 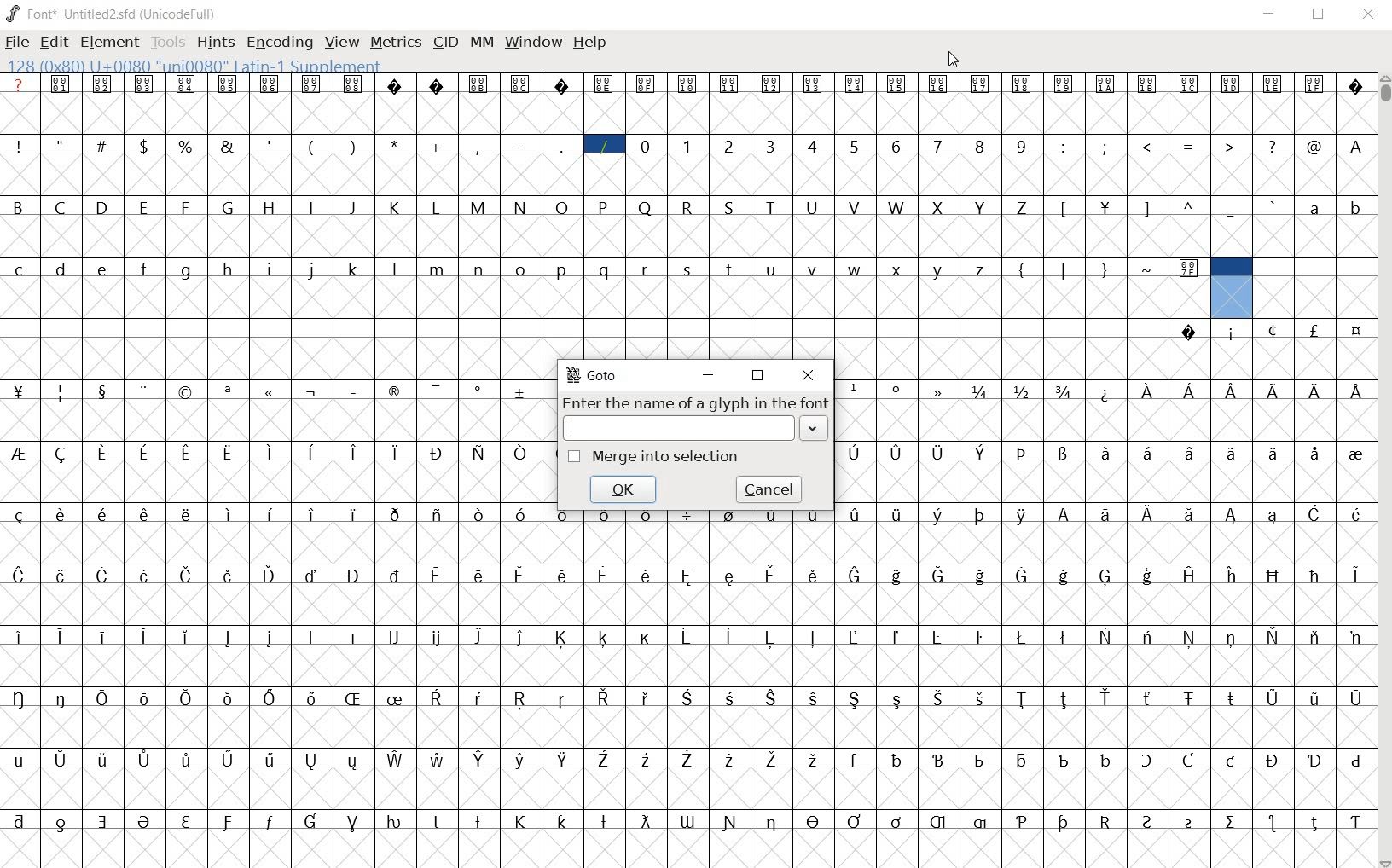 What do you see at coordinates (63, 635) in the screenshot?
I see `Symbol` at bounding box center [63, 635].